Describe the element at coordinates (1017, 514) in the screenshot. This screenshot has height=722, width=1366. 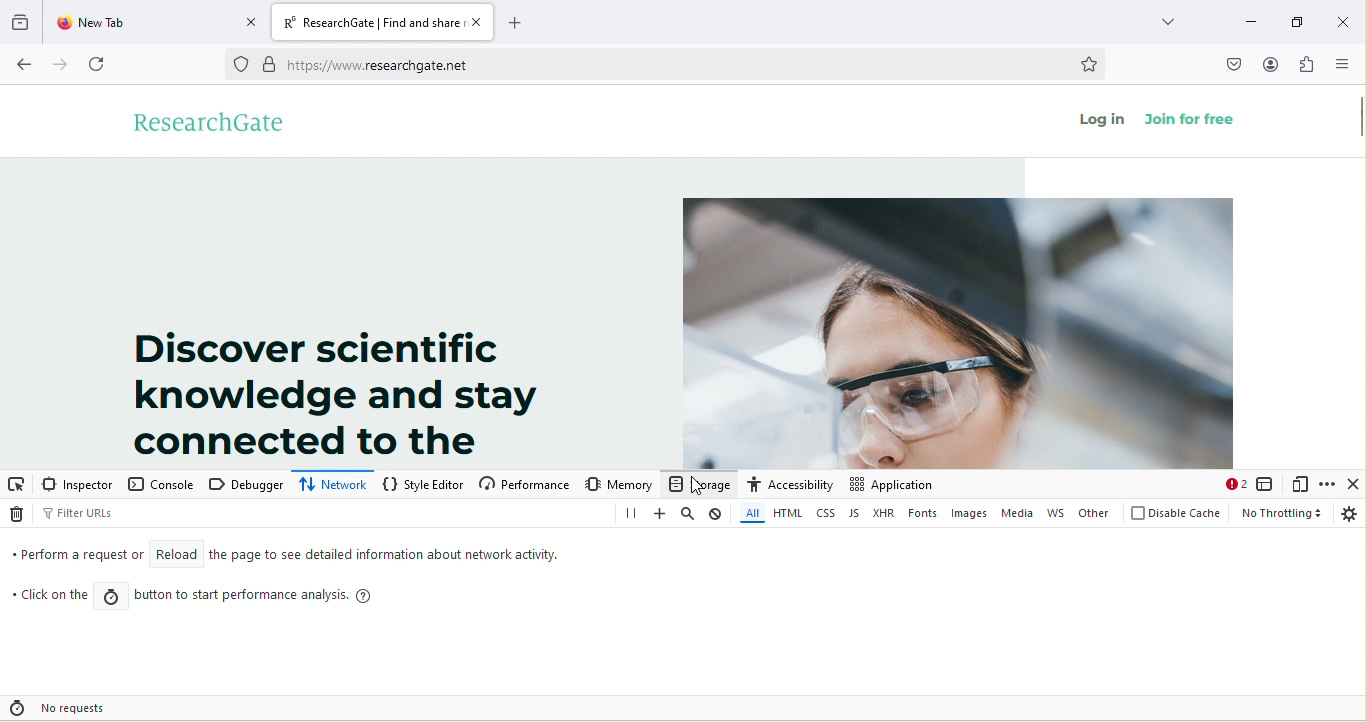
I see `media` at that location.